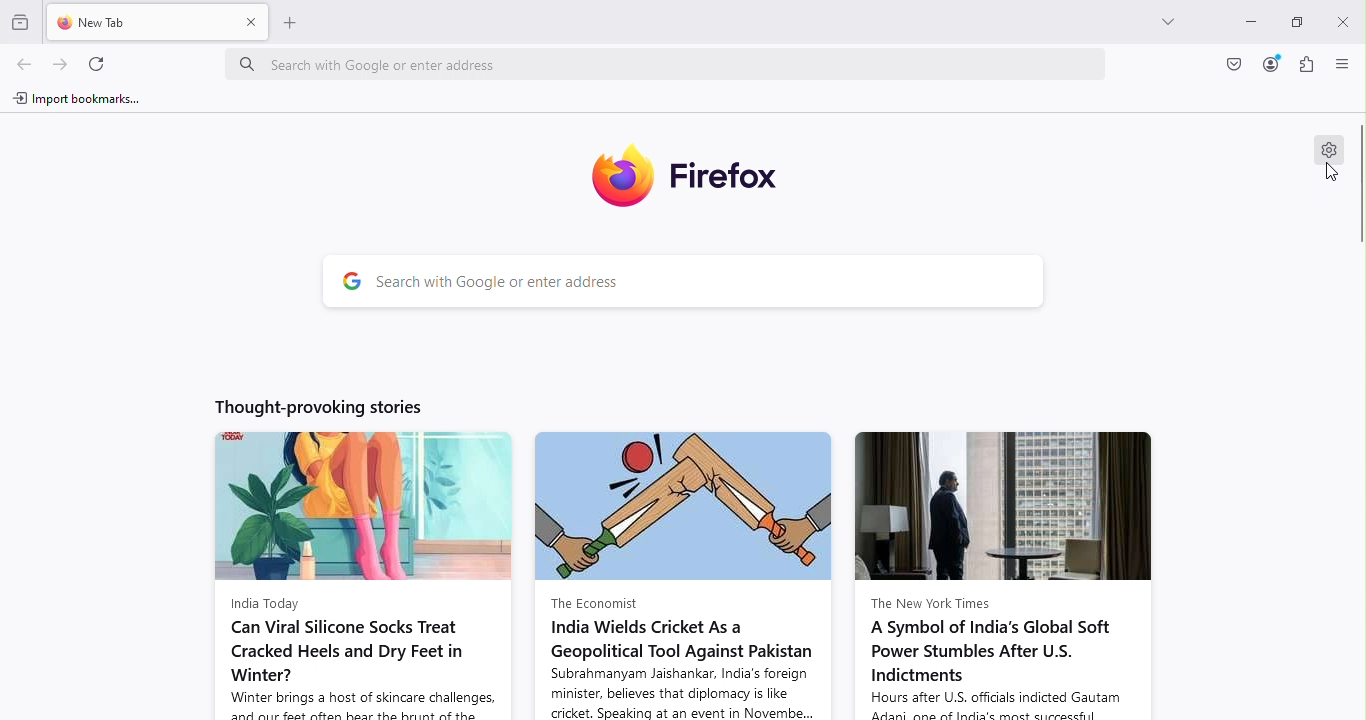  What do you see at coordinates (353, 282) in the screenshot?
I see `google logo` at bounding box center [353, 282].